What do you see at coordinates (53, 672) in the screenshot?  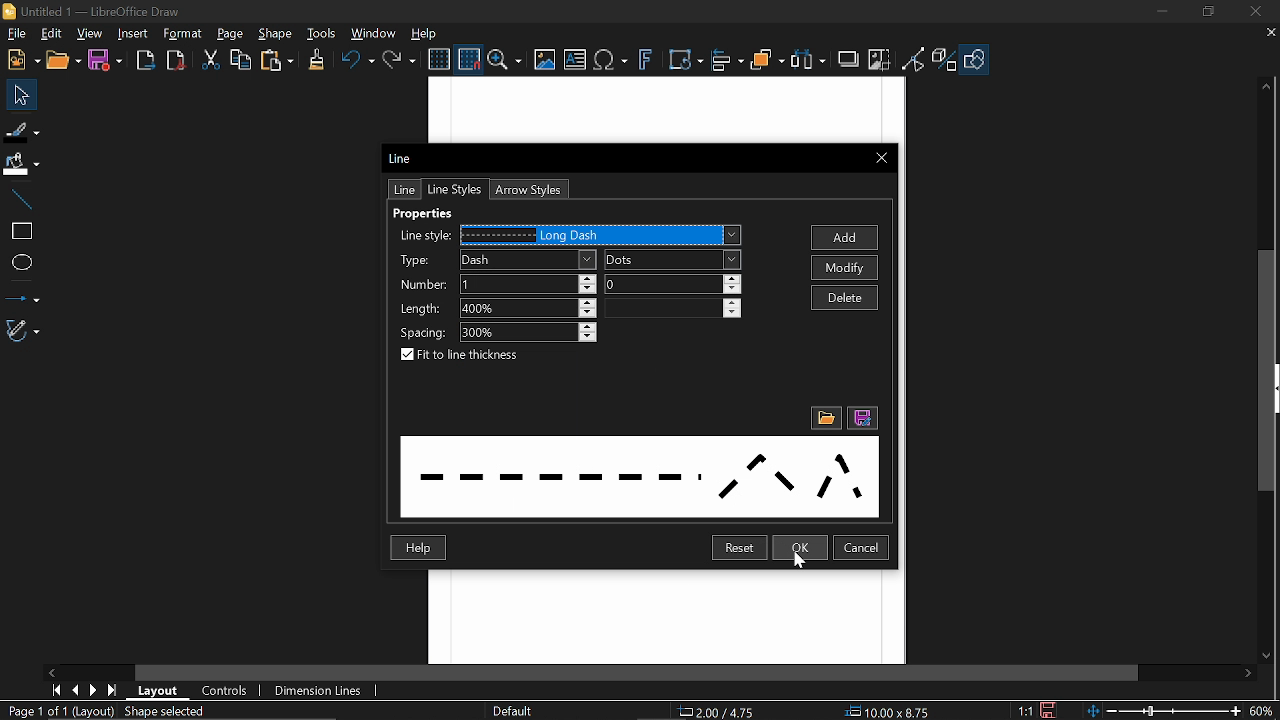 I see `Move right` at bounding box center [53, 672].